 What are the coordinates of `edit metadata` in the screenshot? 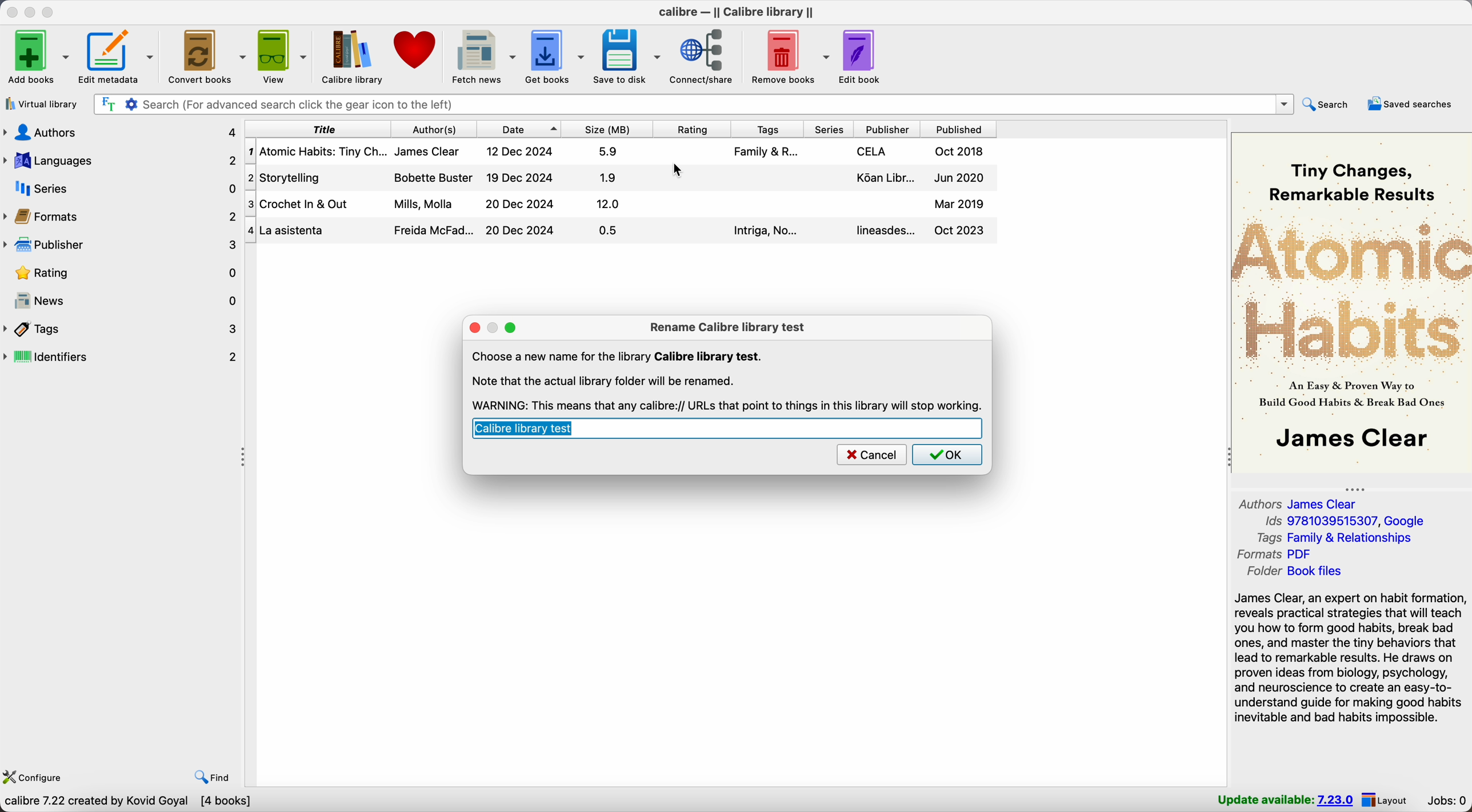 It's located at (118, 57).